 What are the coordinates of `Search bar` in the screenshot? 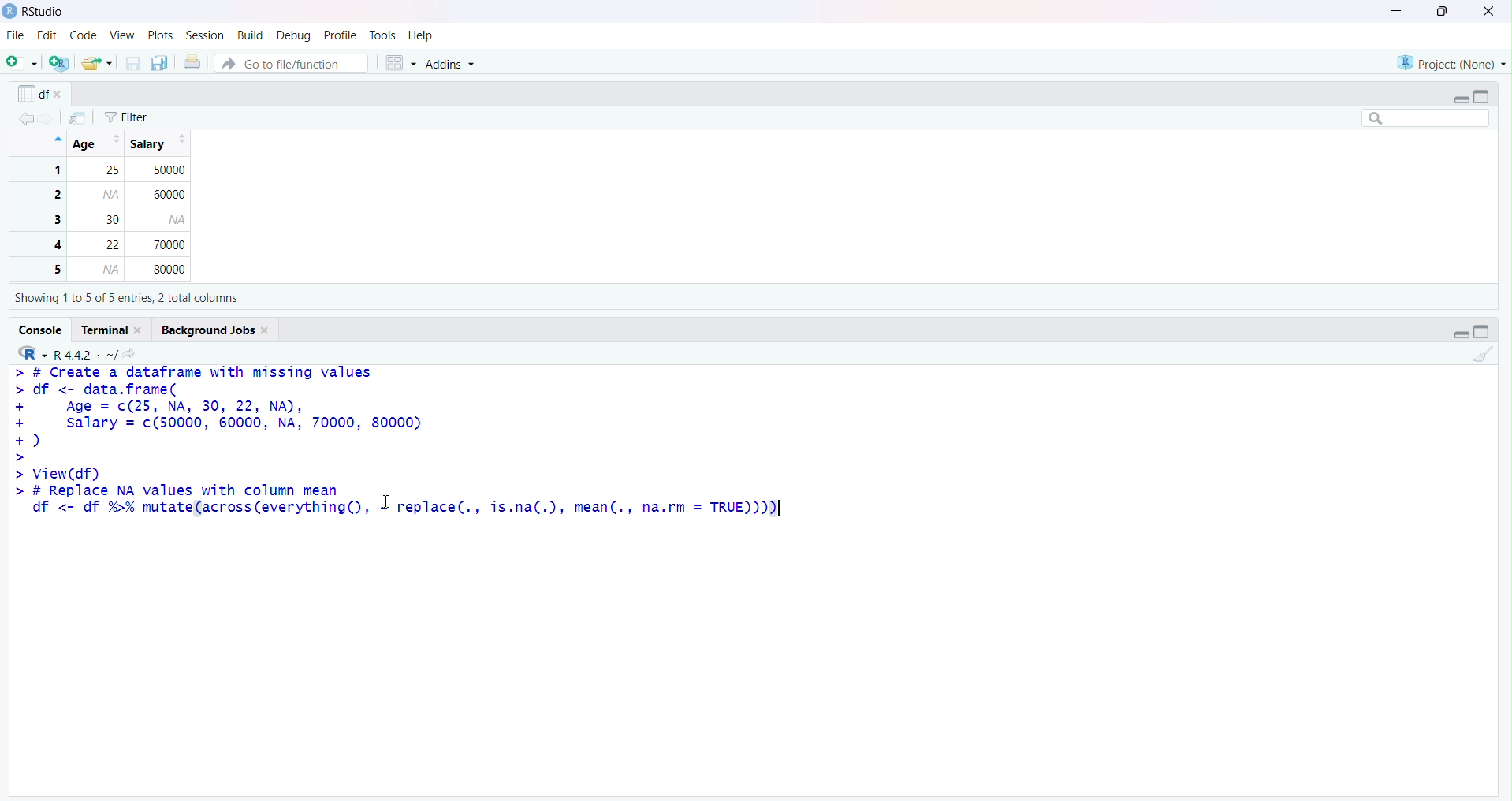 It's located at (1421, 117).